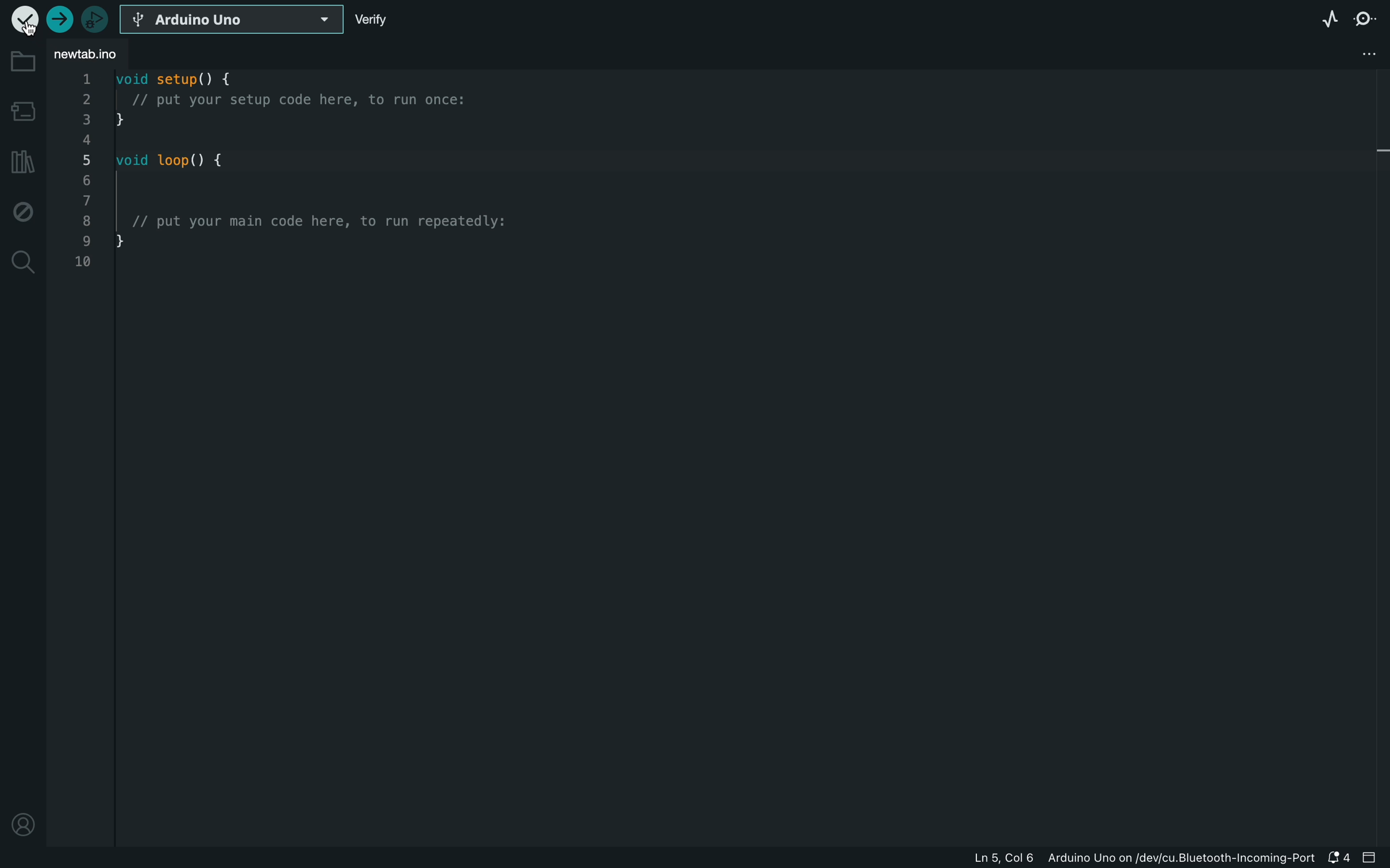 This screenshot has height=868, width=1390. Describe the element at coordinates (393, 18) in the screenshot. I see `verify` at that location.